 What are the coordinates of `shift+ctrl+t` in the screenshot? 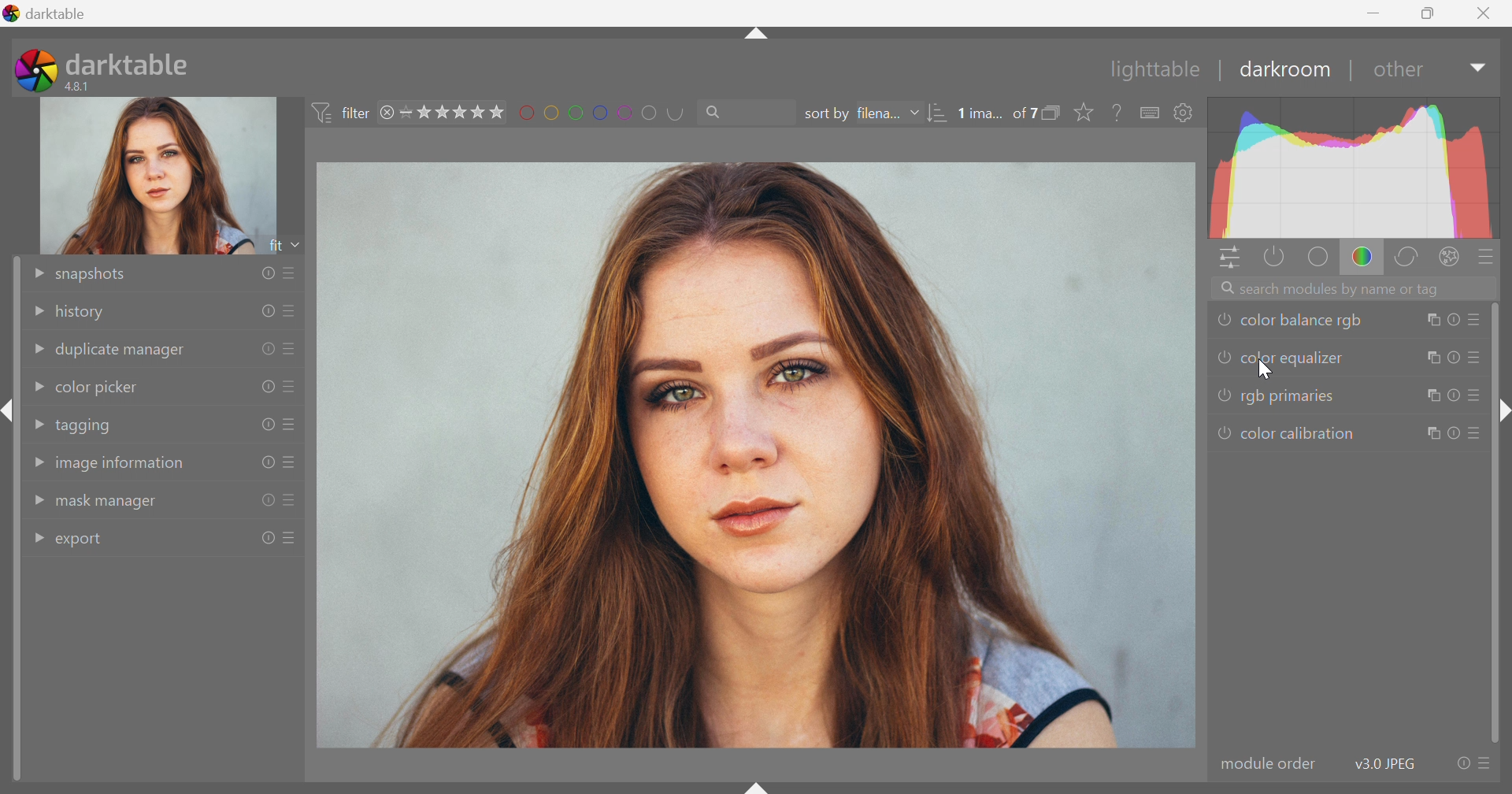 It's located at (754, 38).